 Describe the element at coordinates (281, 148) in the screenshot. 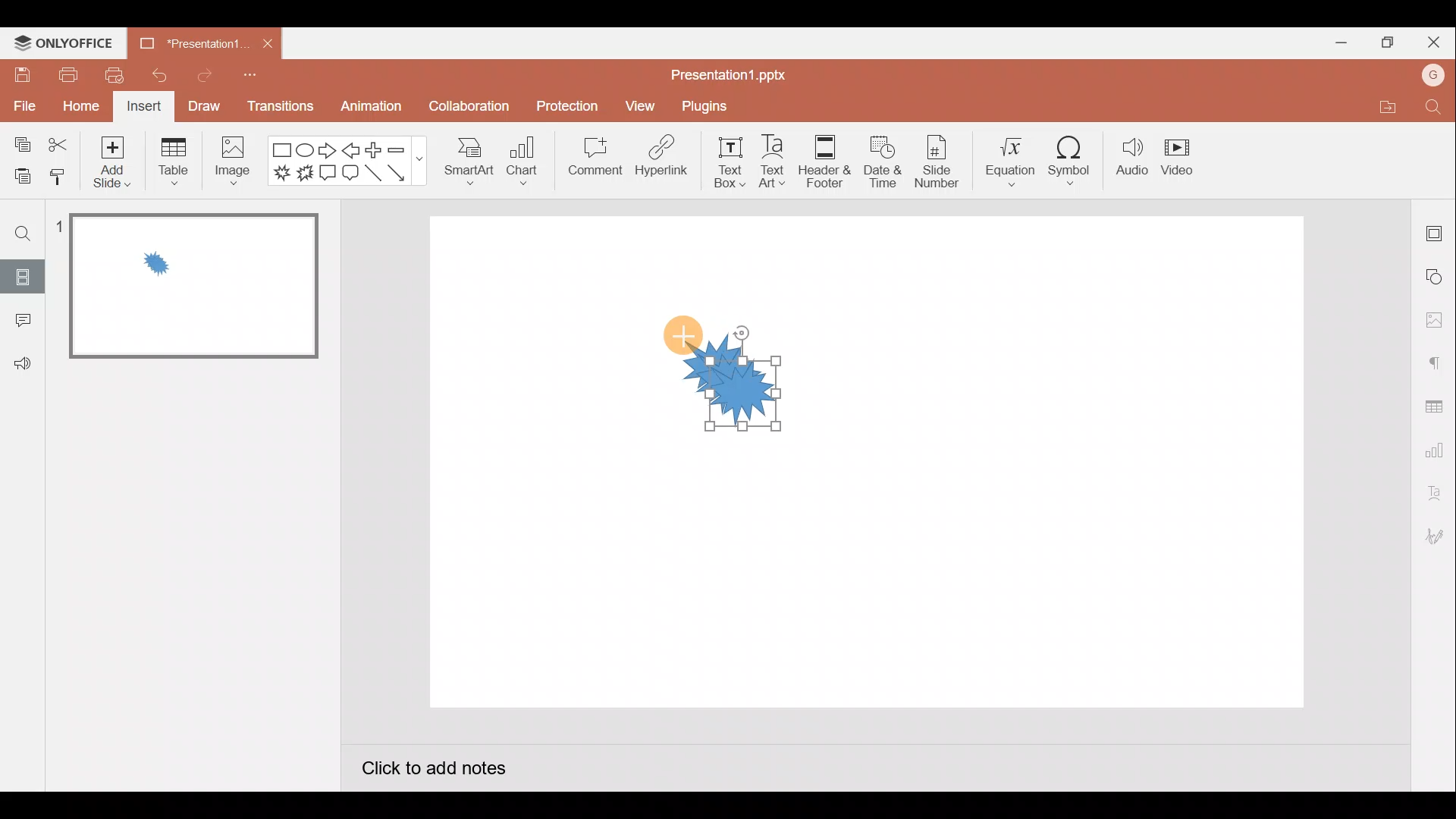

I see `Rectangle` at that location.